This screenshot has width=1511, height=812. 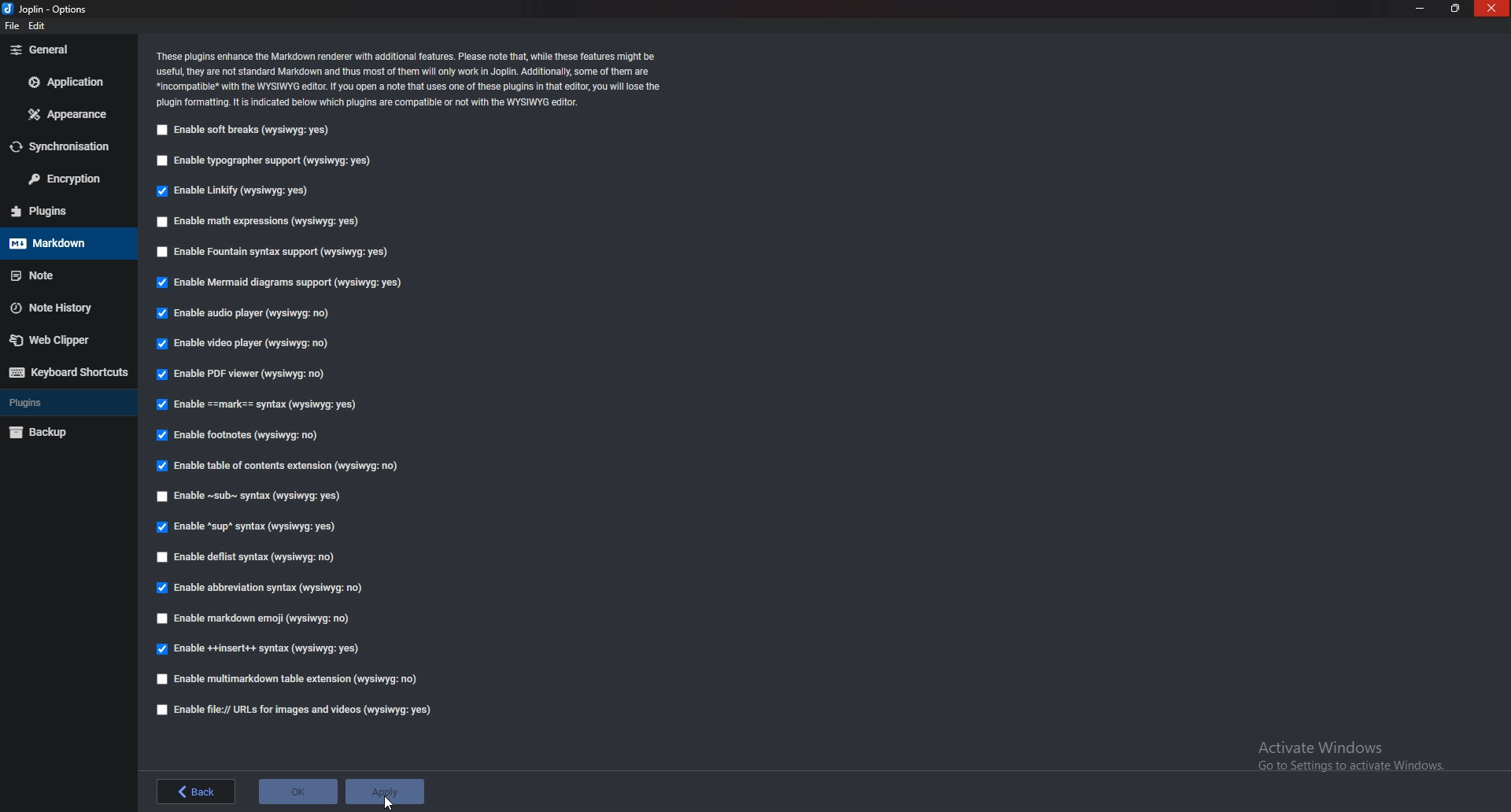 I want to click on Activate windows pop up, so click(x=1354, y=756).